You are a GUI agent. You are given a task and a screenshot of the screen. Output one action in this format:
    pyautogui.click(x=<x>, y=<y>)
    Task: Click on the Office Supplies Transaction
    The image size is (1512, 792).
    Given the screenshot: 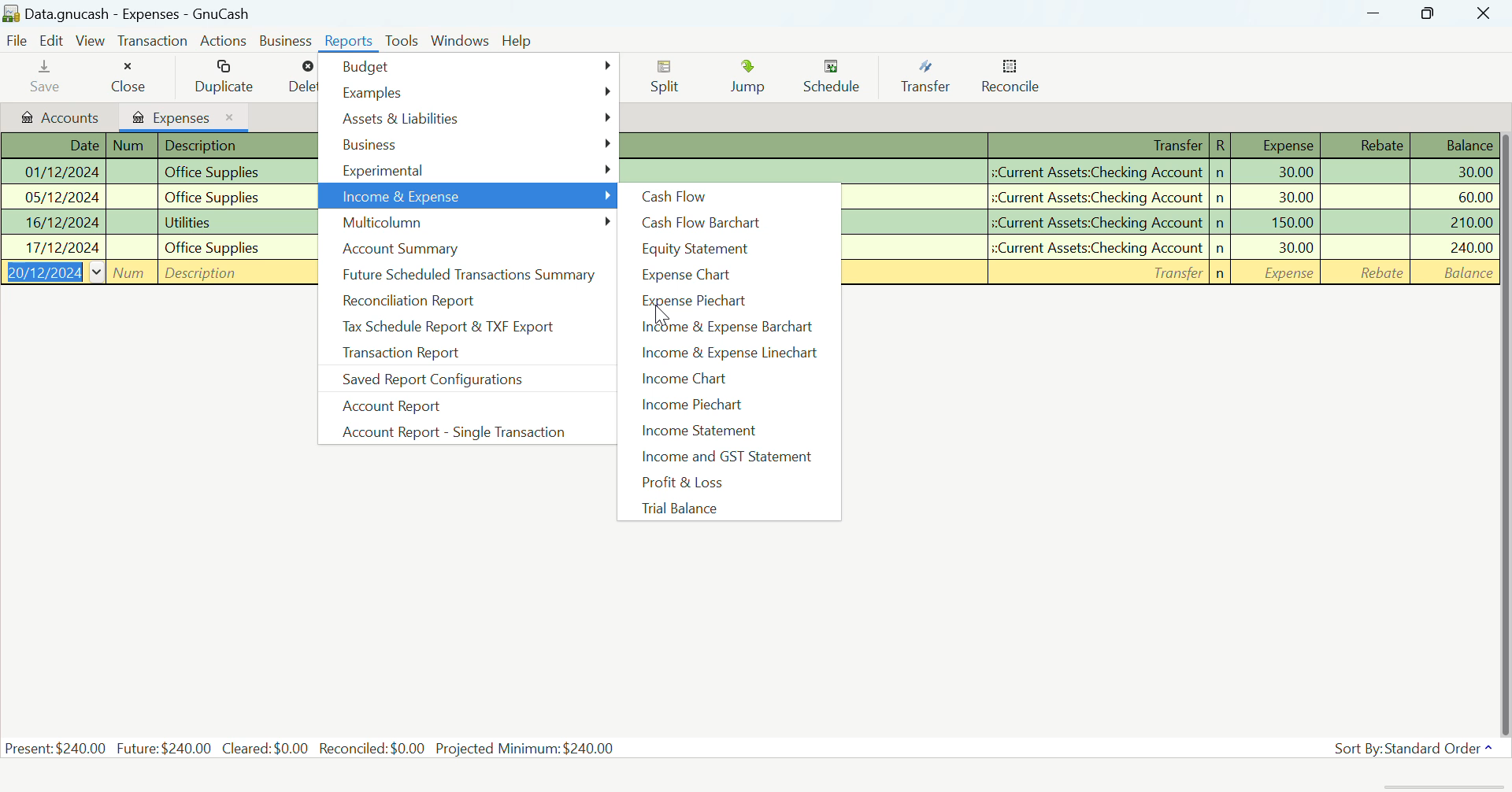 What is the action you would take?
    pyautogui.click(x=1171, y=246)
    